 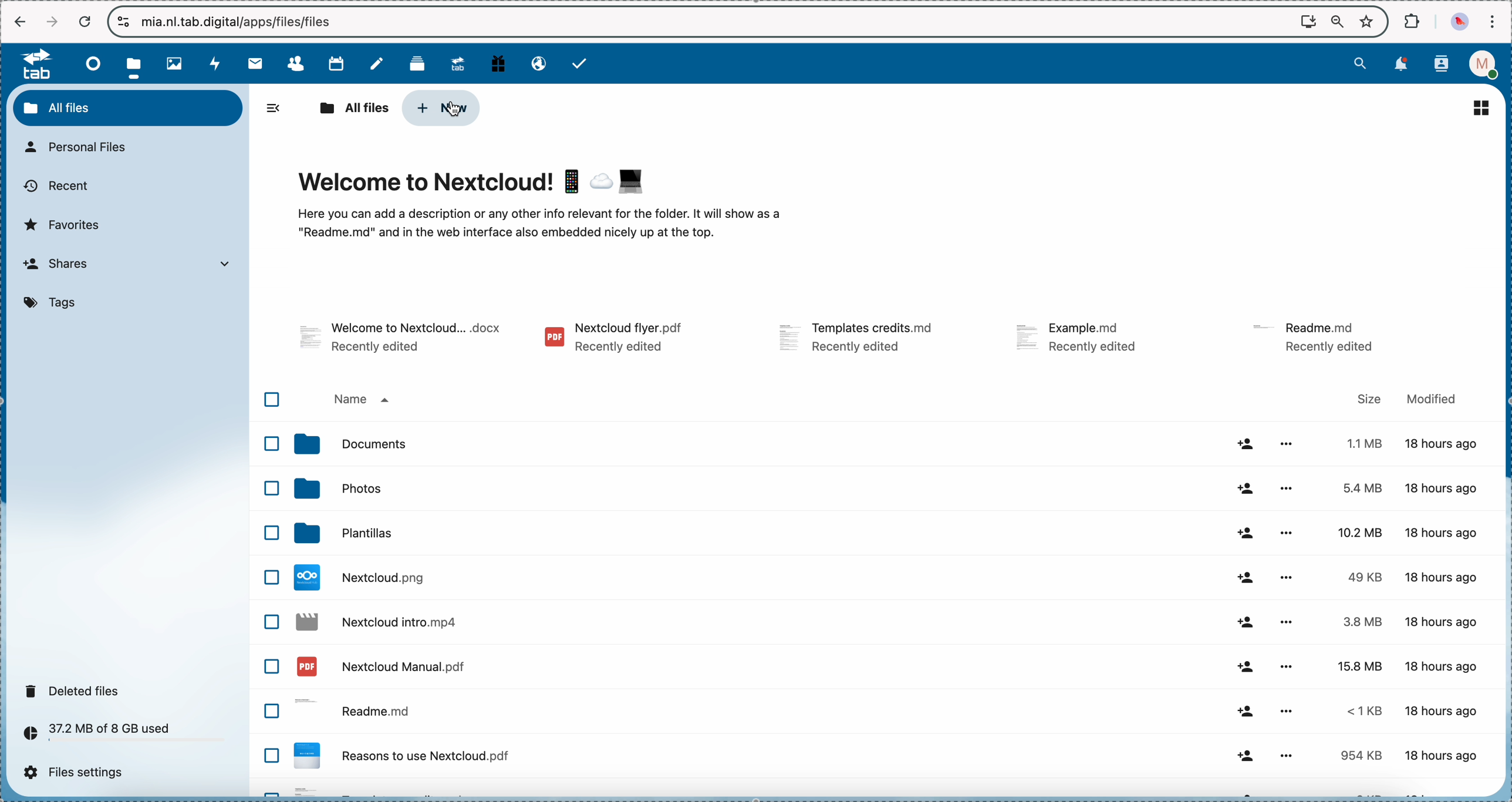 I want to click on hide side bar, so click(x=274, y=108).